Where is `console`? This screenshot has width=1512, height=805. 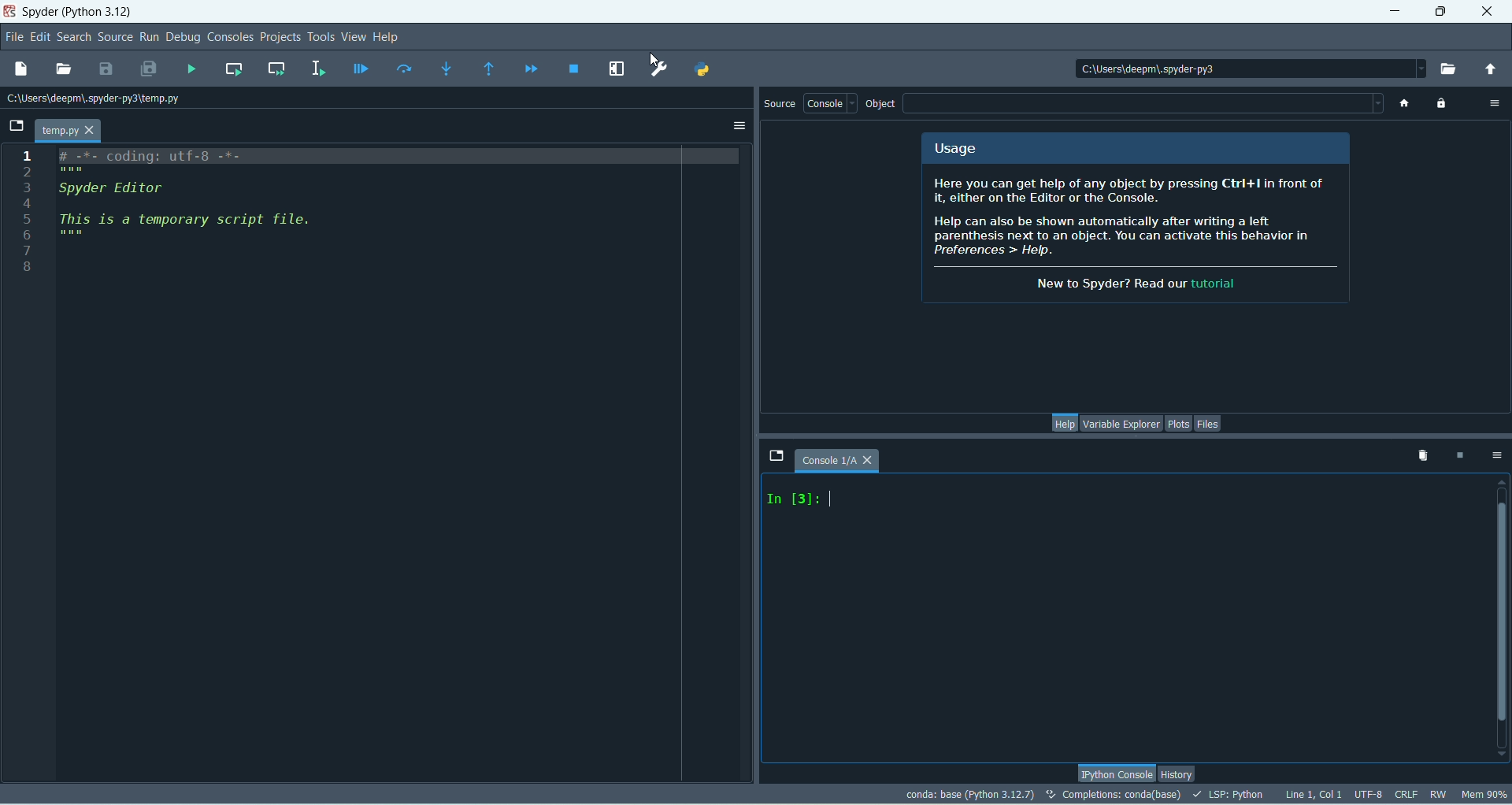
console is located at coordinates (831, 102).